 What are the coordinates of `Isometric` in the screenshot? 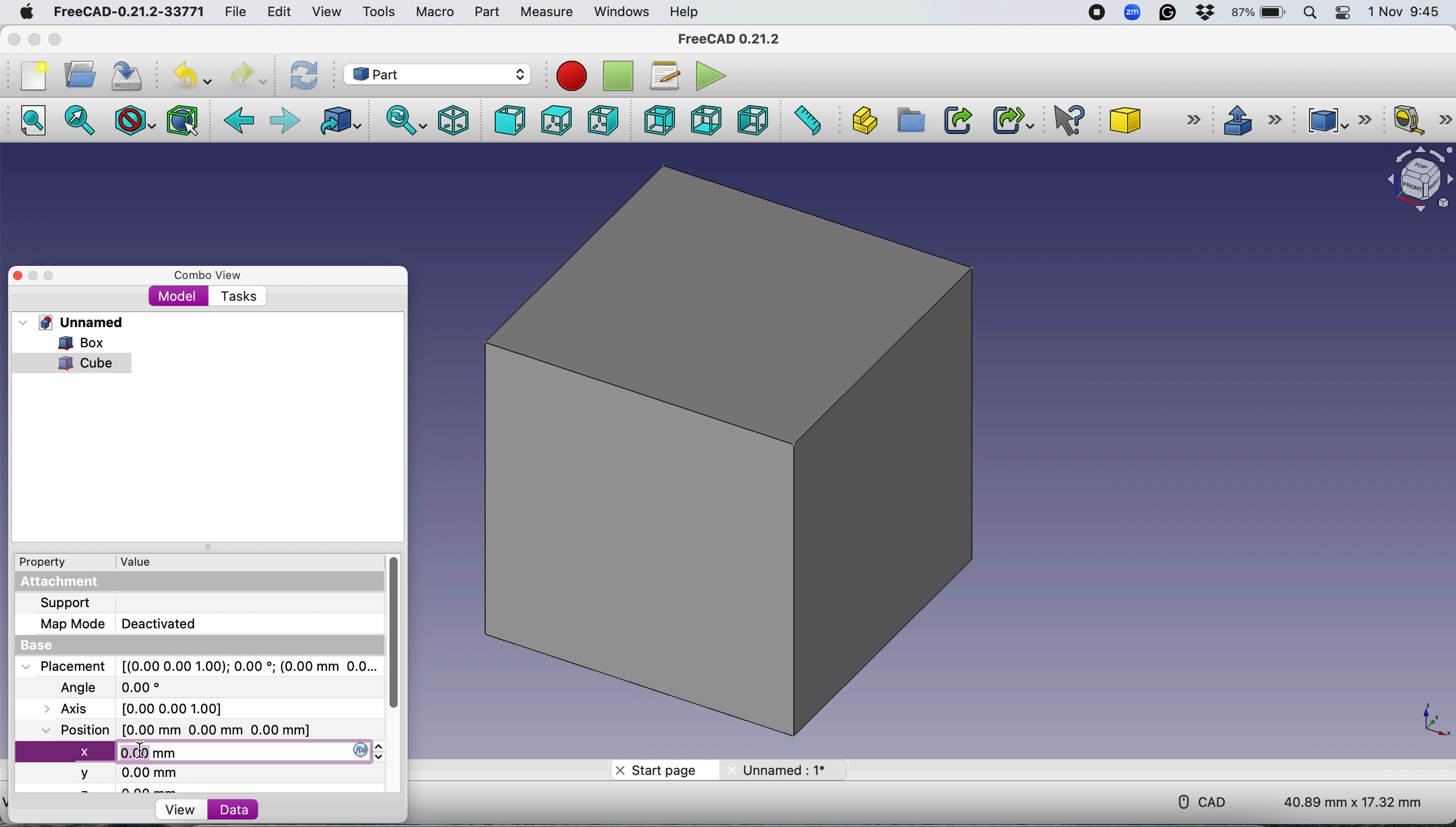 It's located at (454, 119).